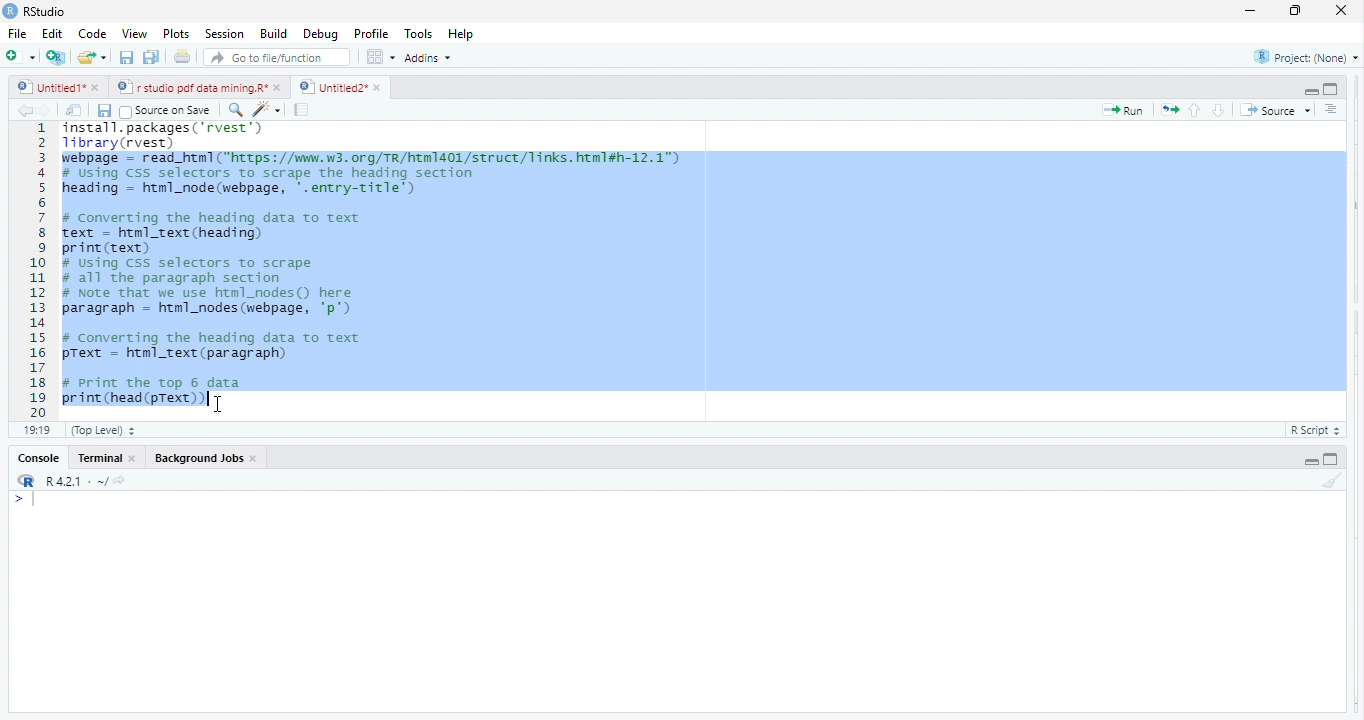  I want to click on print the current file, so click(179, 58).